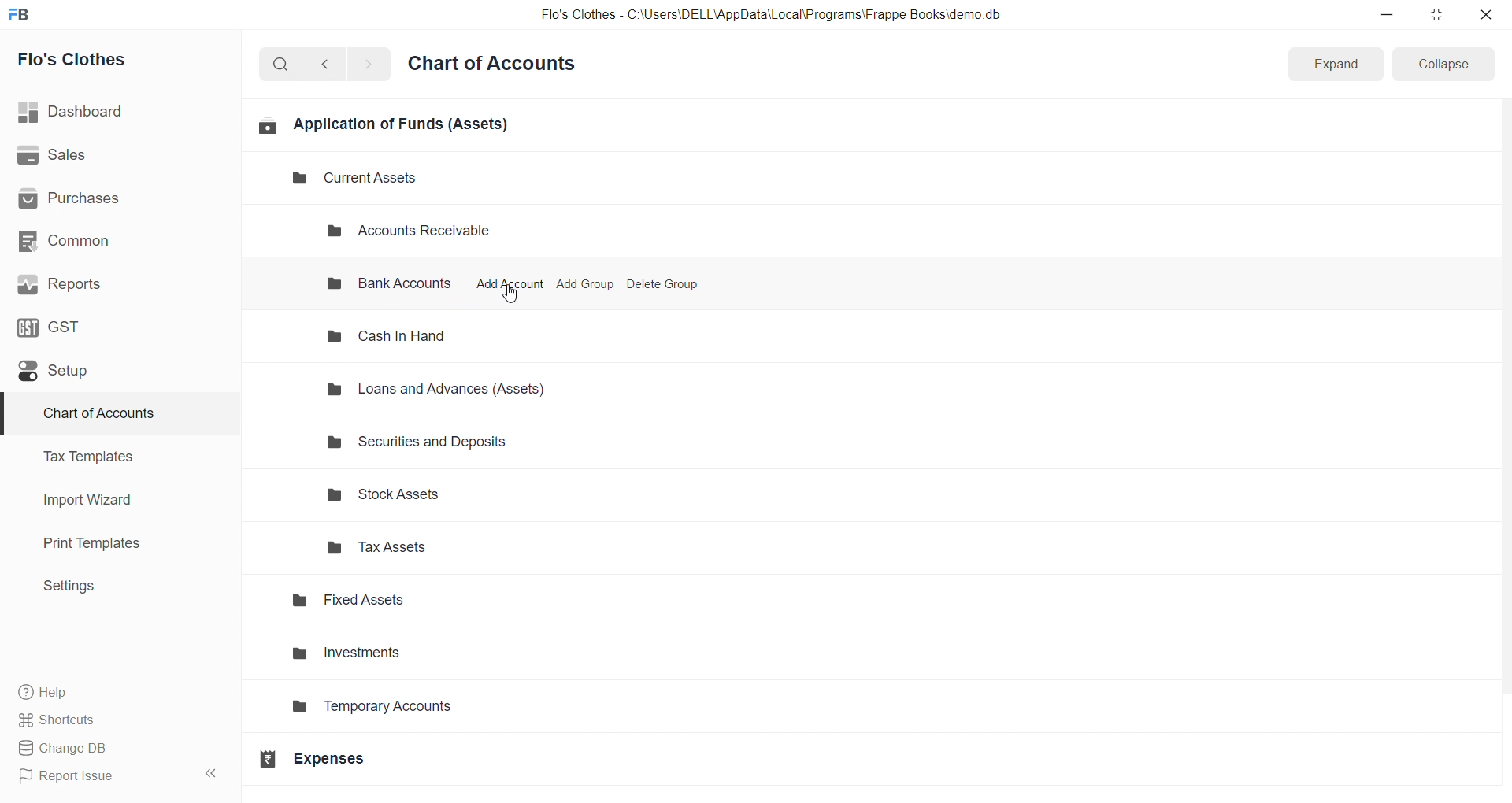  Describe the element at coordinates (1436, 14) in the screenshot. I see `resize` at that location.